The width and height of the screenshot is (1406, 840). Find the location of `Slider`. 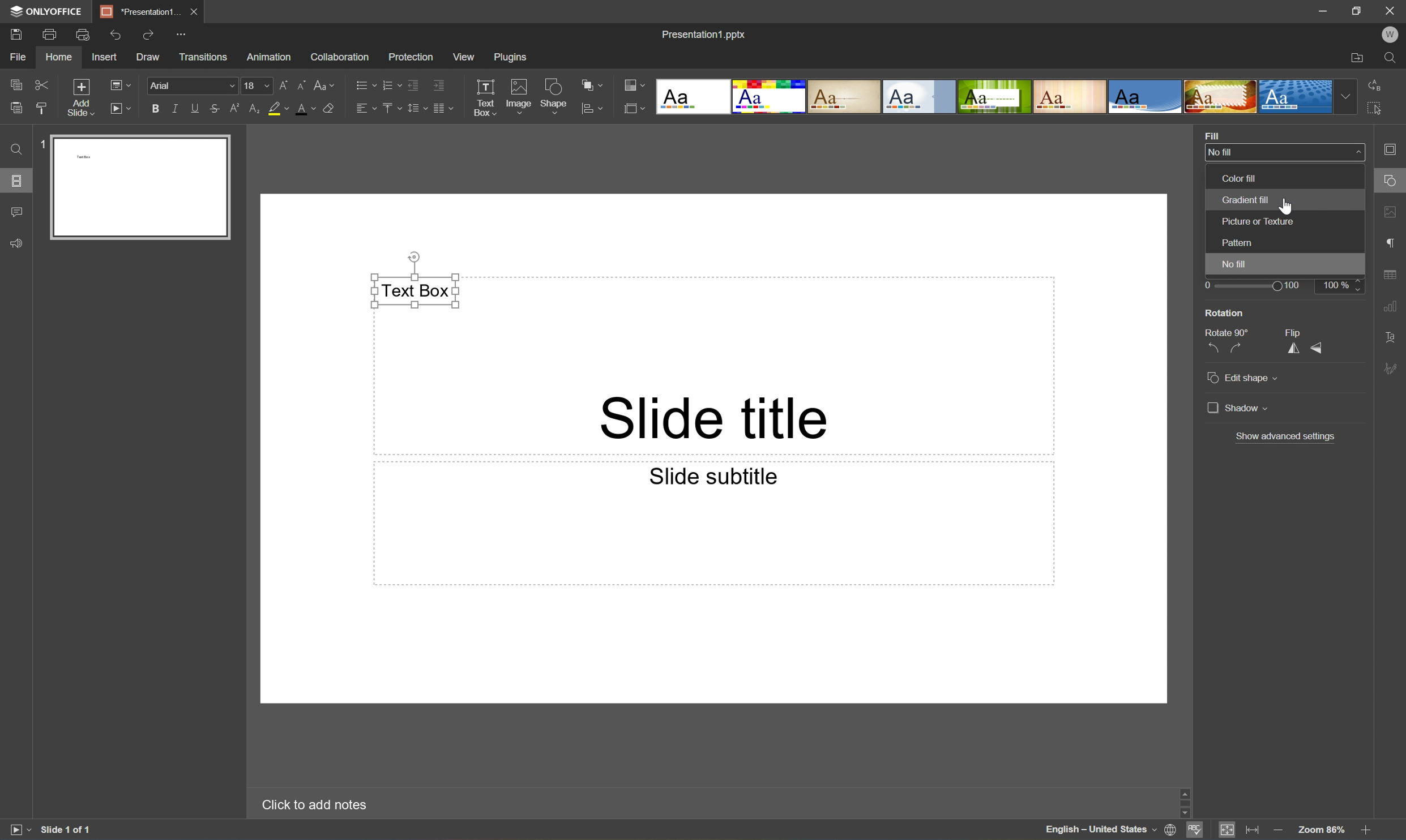

Slider is located at coordinates (1251, 287).